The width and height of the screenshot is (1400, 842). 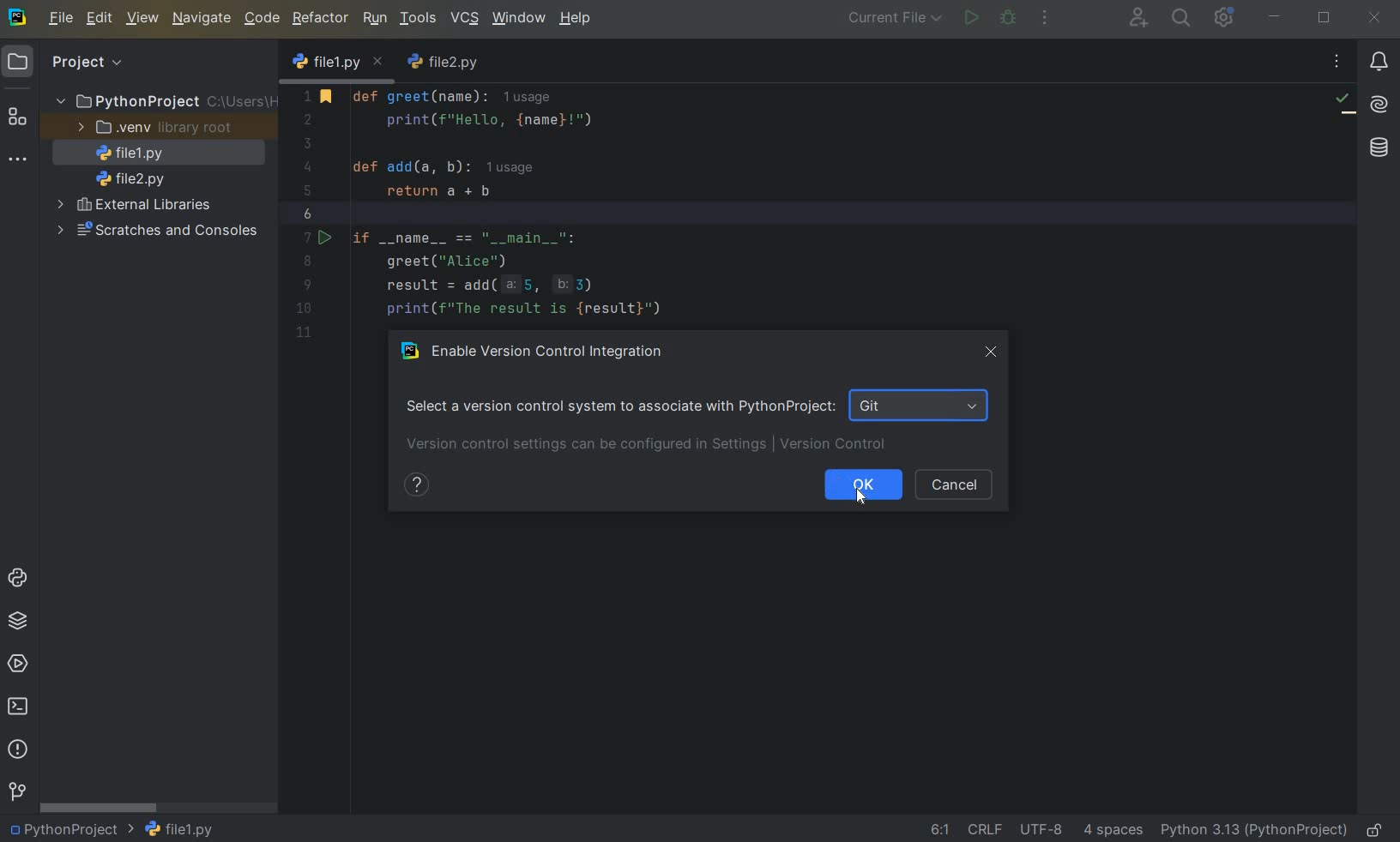 What do you see at coordinates (262, 19) in the screenshot?
I see `code` at bounding box center [262, 19].